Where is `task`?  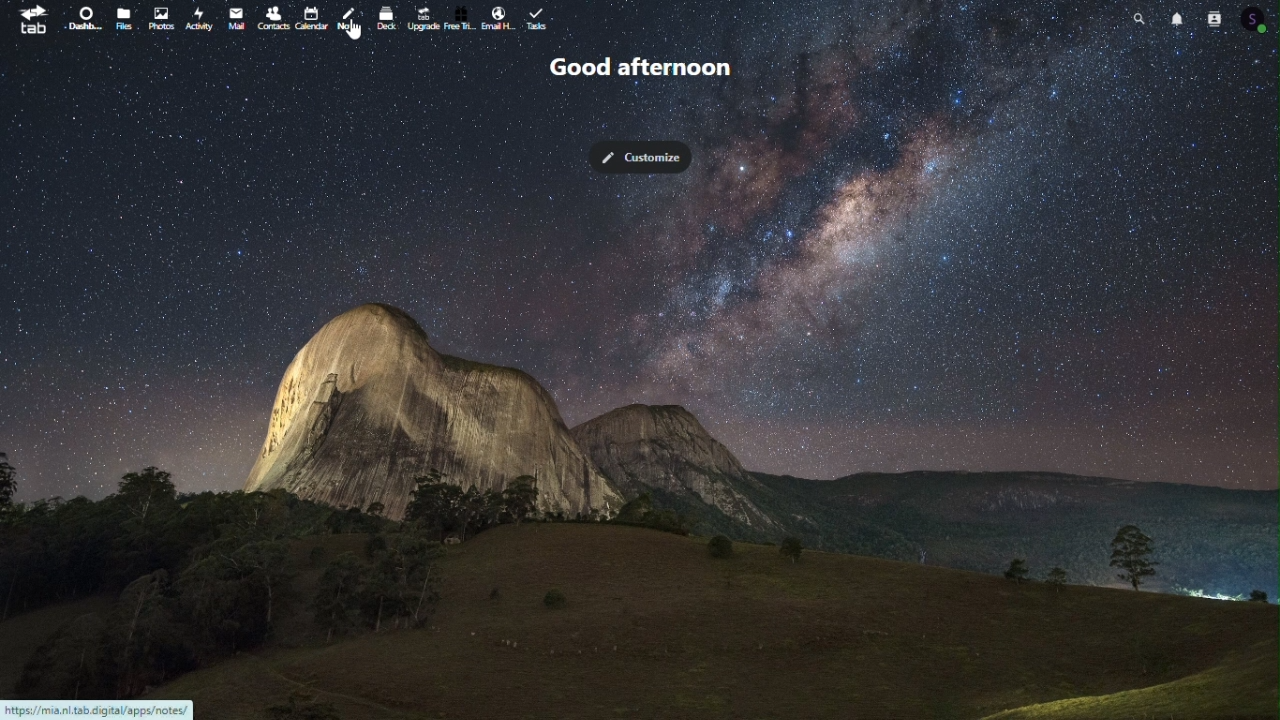 task is located at coordinates (541, 20).